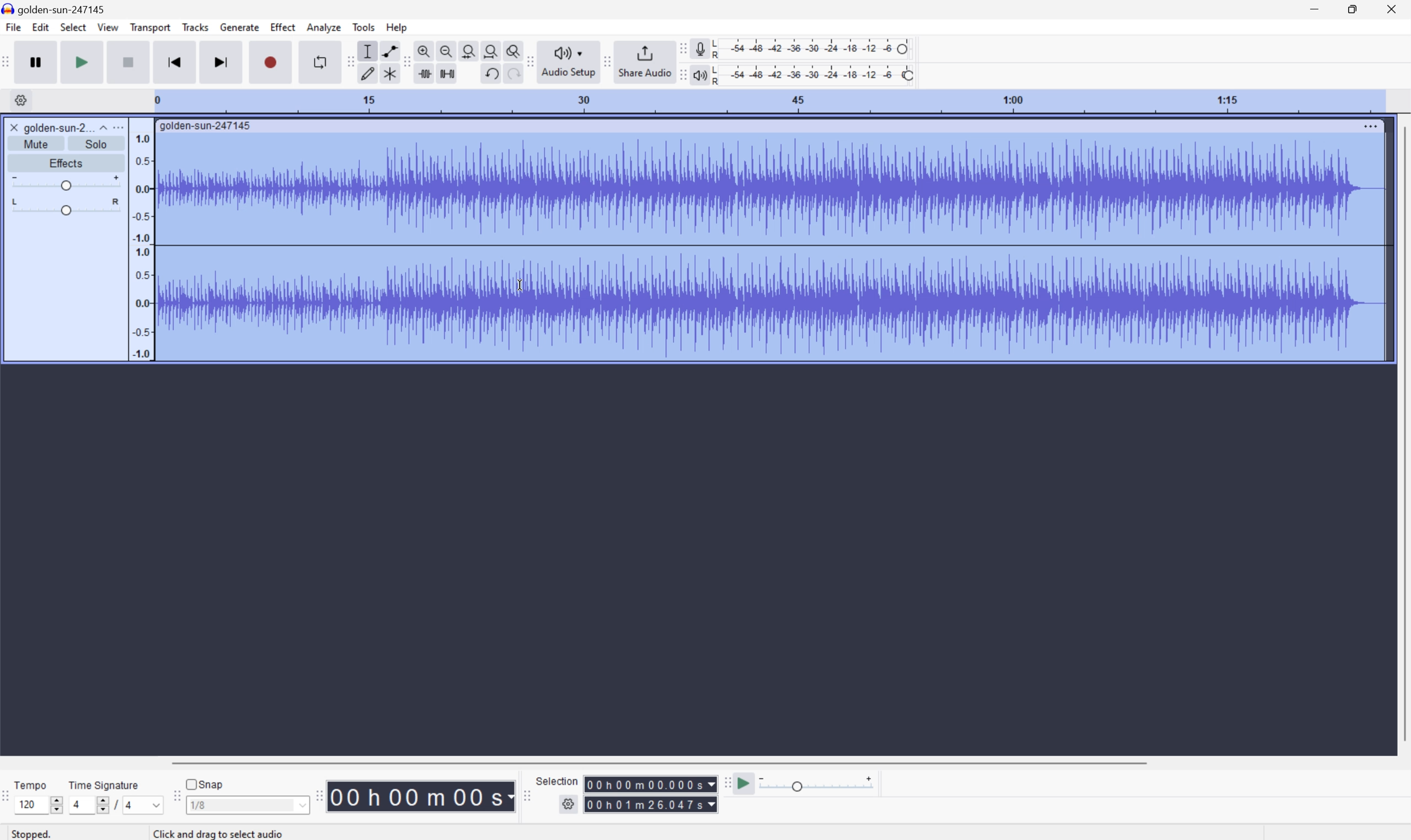 The image size is (1411, 840). What do you see at coordinates (222, 833) in the screenshot?
I see `` at bounding box center [222, 833].